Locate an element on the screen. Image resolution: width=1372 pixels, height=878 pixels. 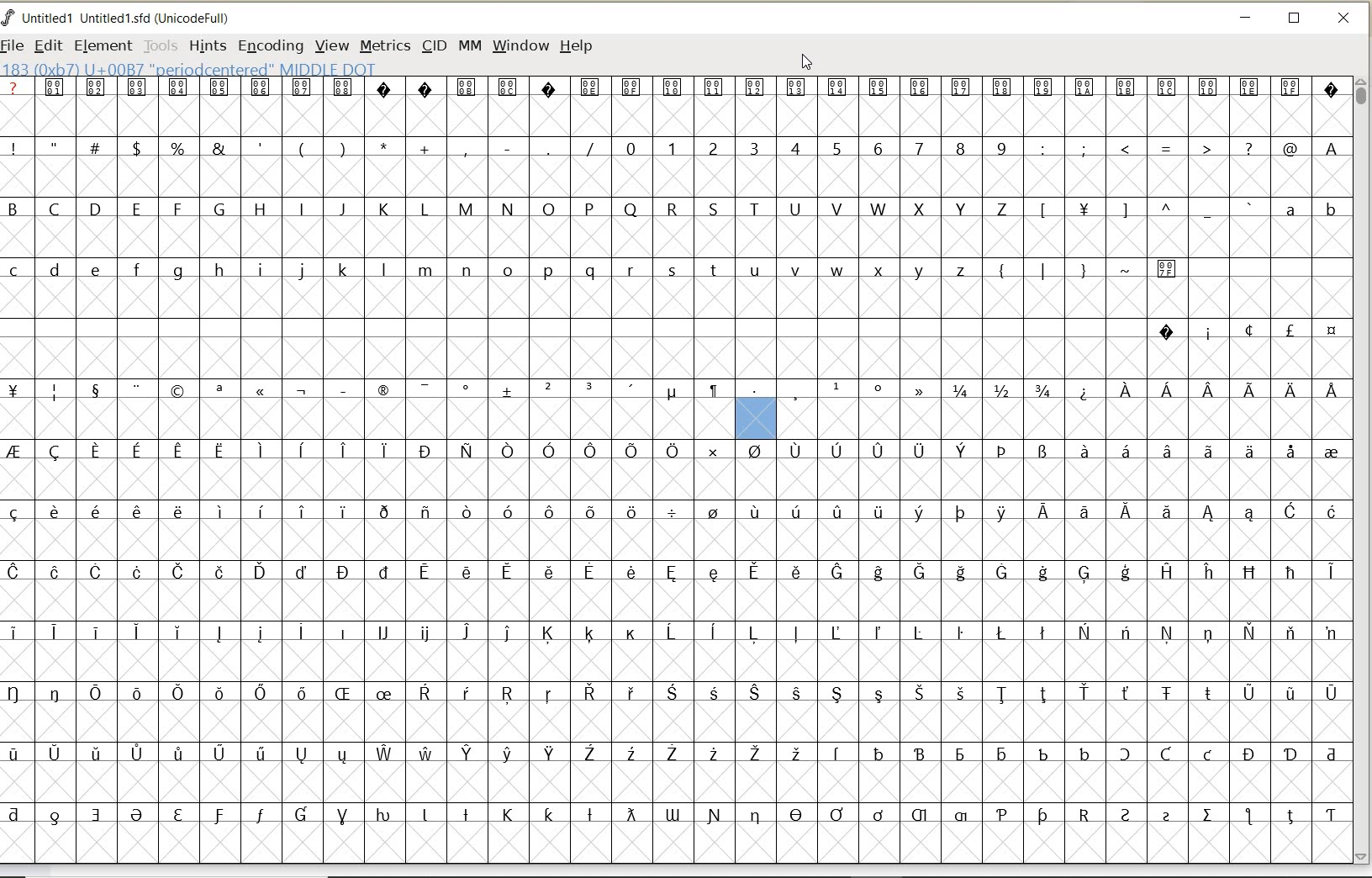
ELEMENT is located at coordinates (103, 45).